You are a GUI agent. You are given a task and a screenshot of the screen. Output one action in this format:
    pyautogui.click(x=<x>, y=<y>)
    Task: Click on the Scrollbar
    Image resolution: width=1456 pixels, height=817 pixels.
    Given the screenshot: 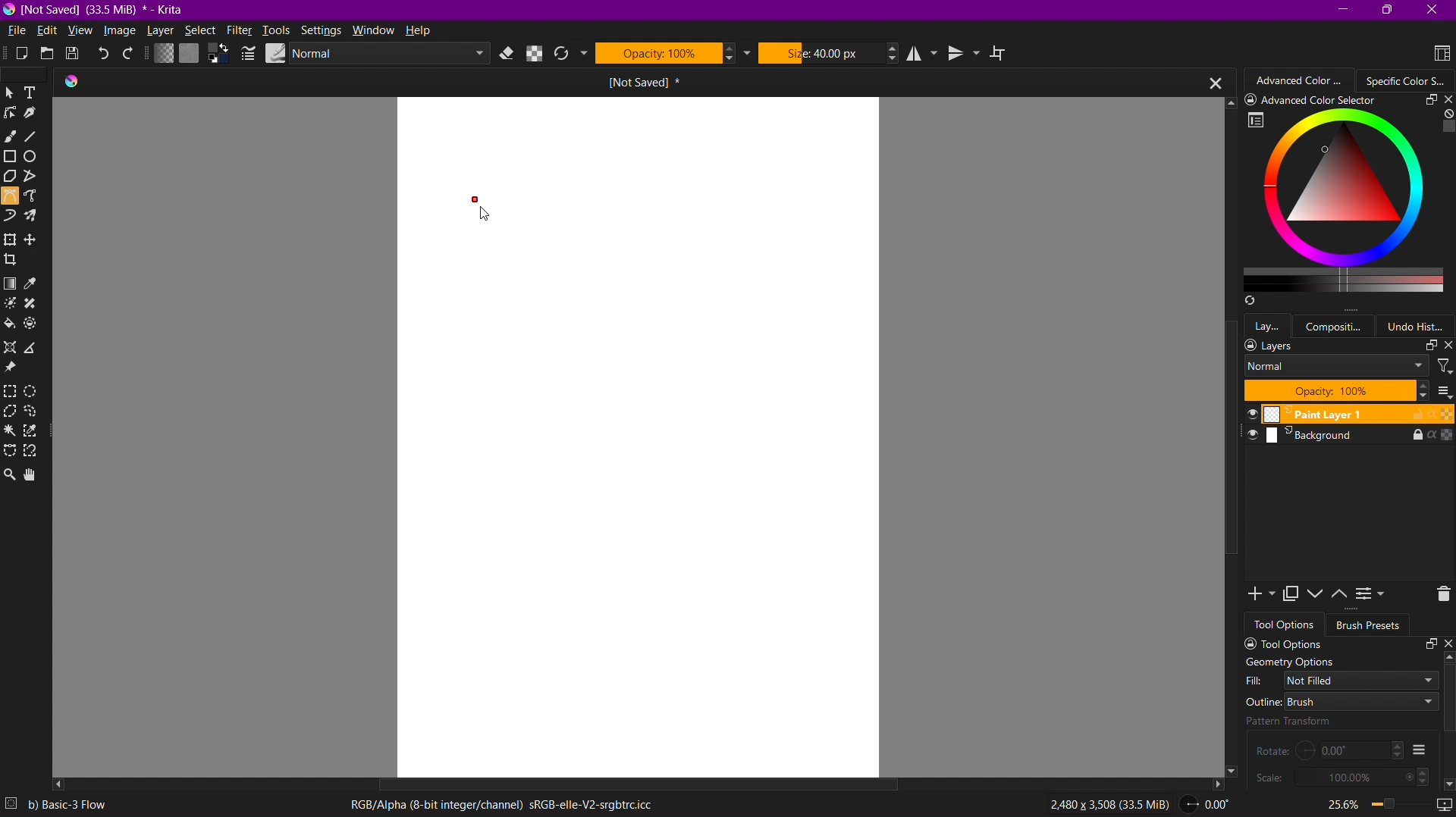 What is the action you would take?
    pyautogui.click(x=1447, y=700)
    